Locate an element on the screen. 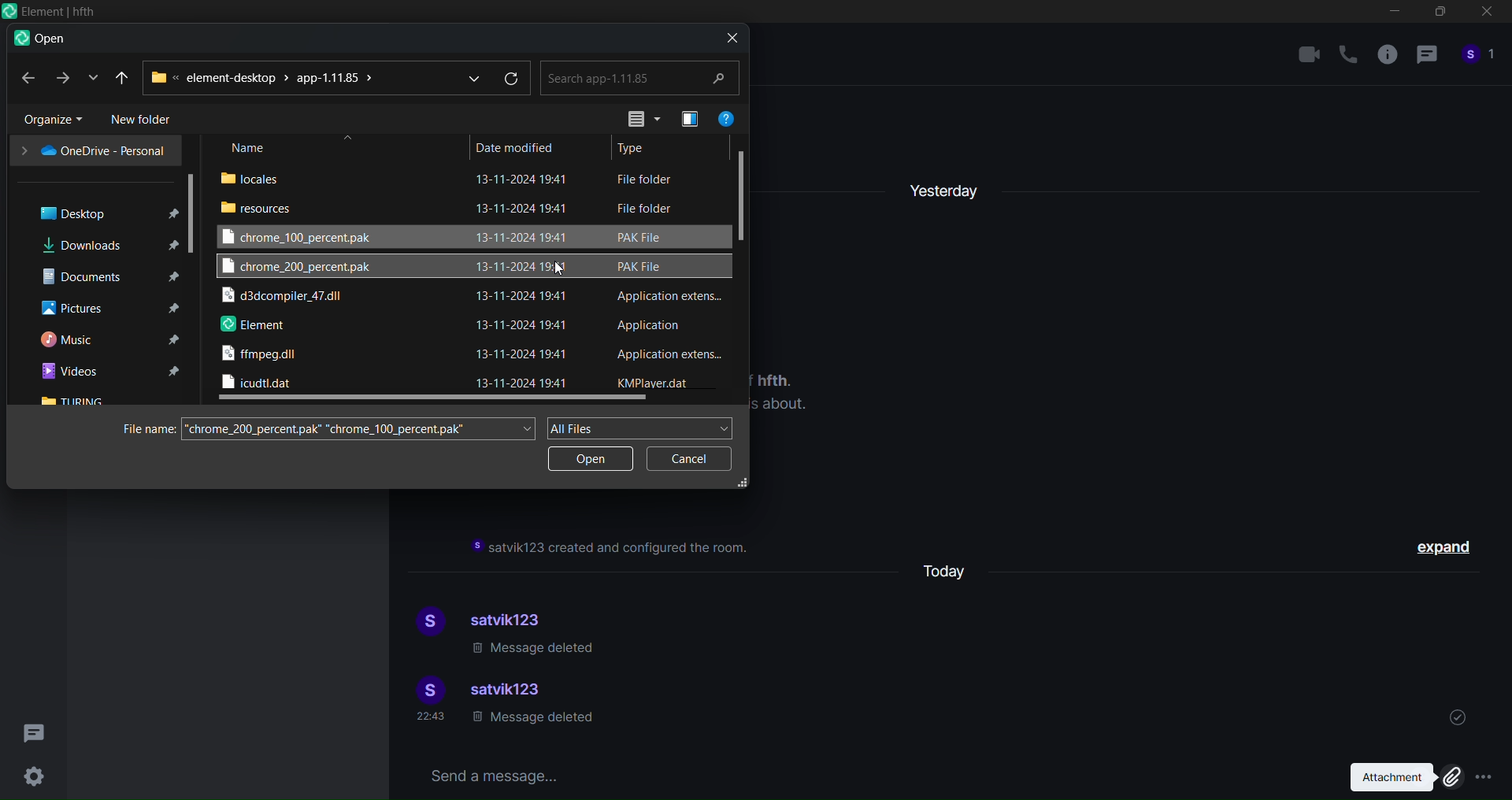 This screenshot has width=1512, height=800. minimize is located at coordinates (1395, 14).